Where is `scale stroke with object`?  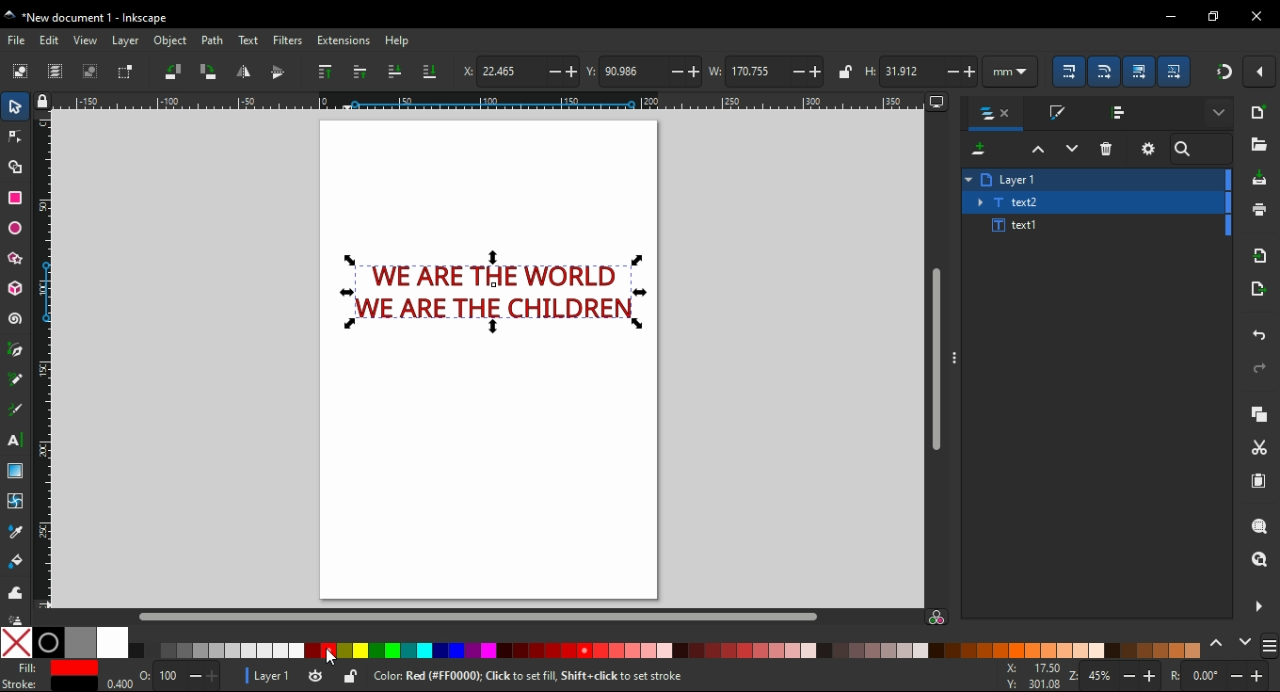 scale stroke with object is located at coordinates (1069, 71).